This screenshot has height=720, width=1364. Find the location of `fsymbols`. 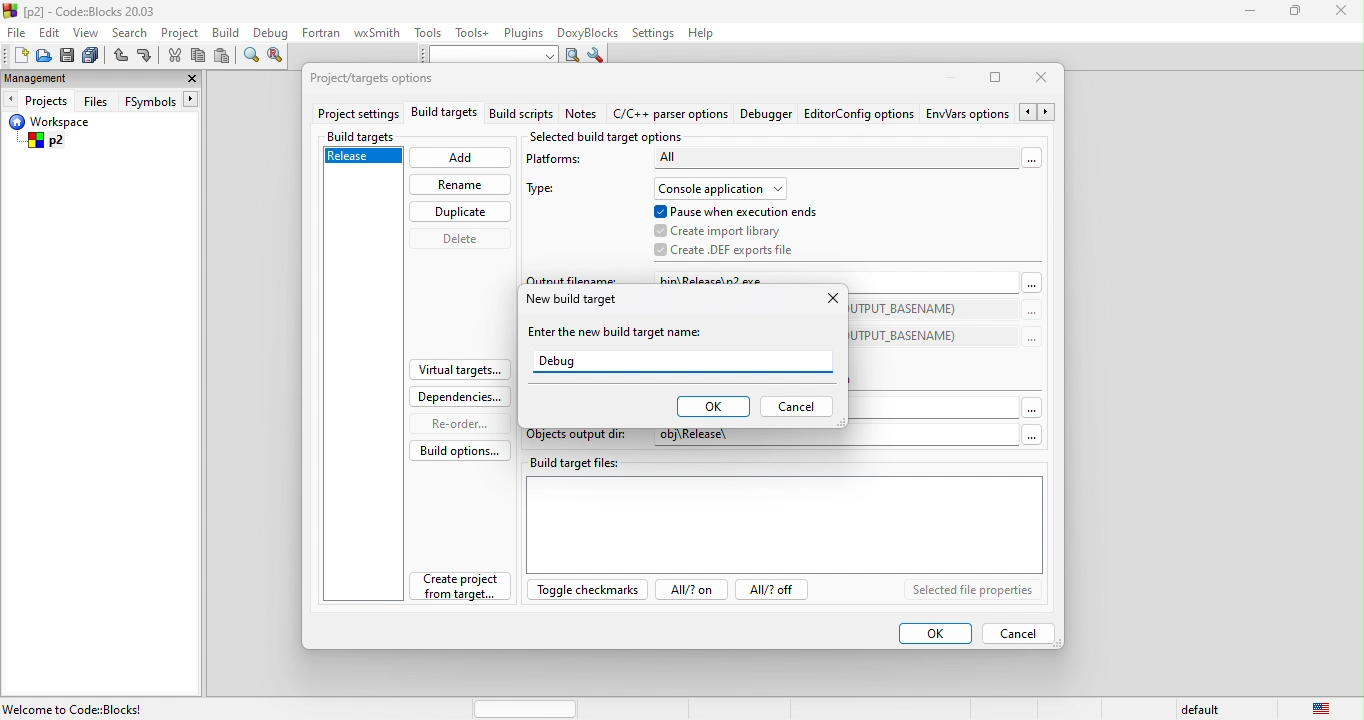

fsymbols is located at coordinates (166, 100).